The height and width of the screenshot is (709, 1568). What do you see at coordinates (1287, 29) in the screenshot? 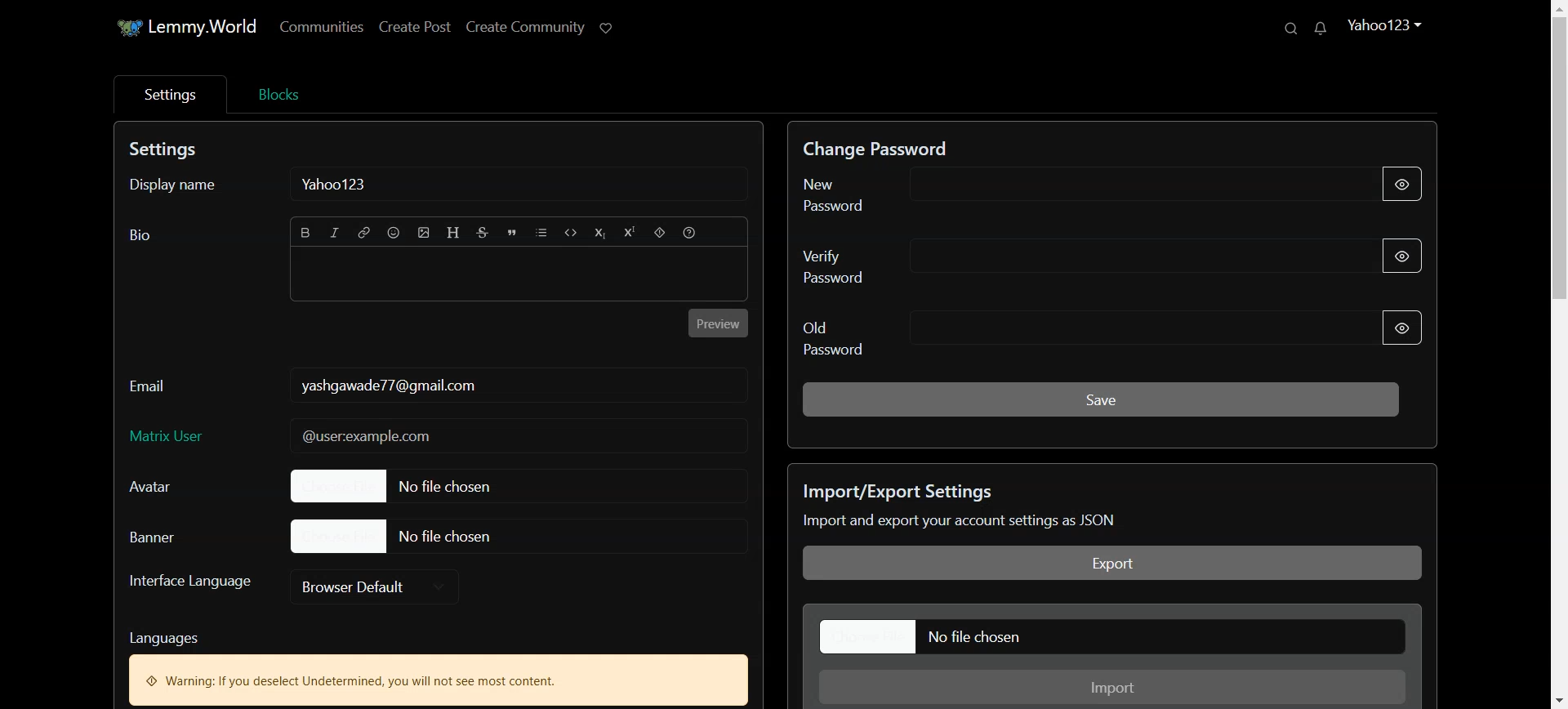
I see `Q` at bounding box center [1287, 29].